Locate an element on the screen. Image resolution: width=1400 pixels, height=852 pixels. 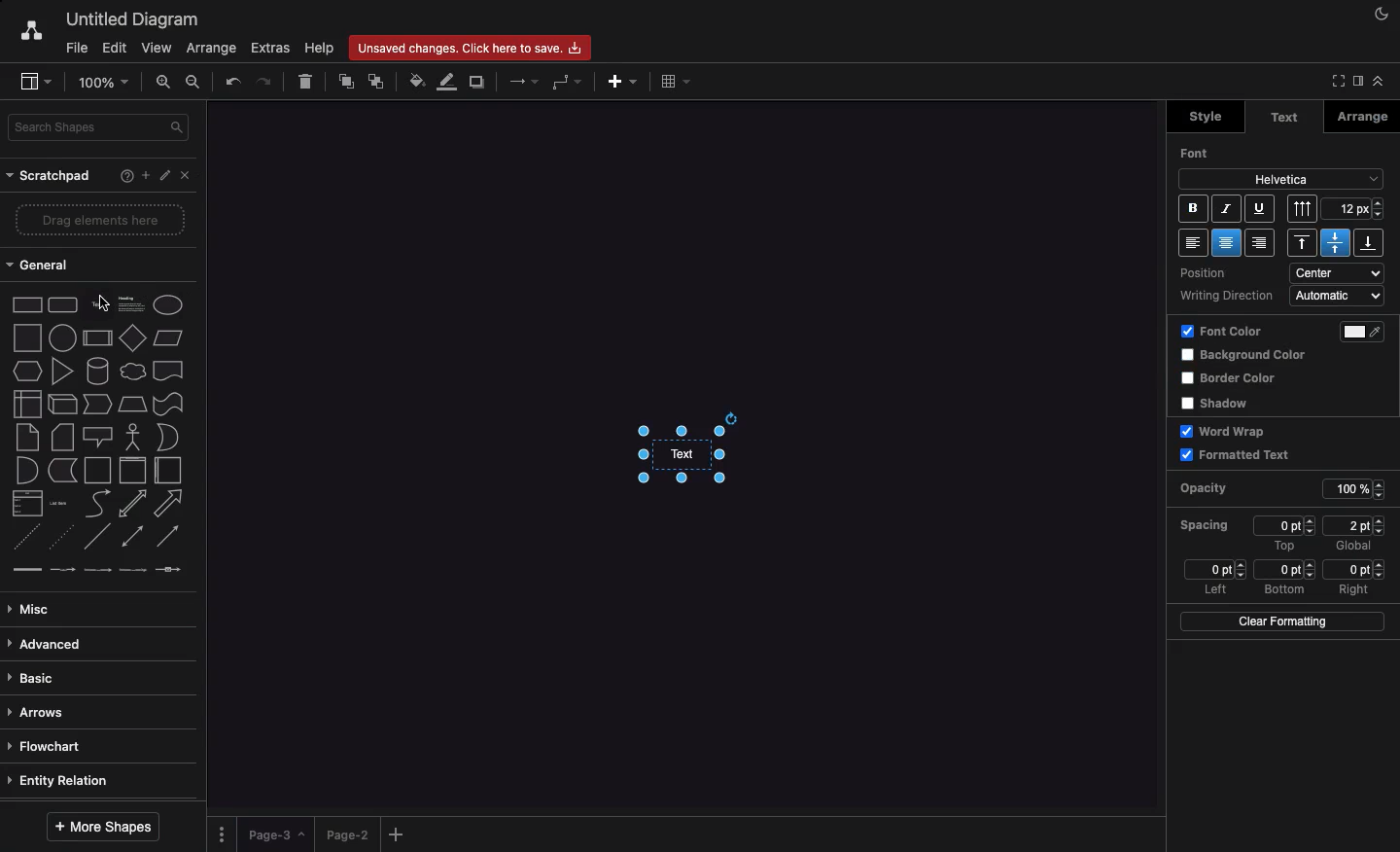
Unsaved changes. click here to save is located at coordinates (468, 47).